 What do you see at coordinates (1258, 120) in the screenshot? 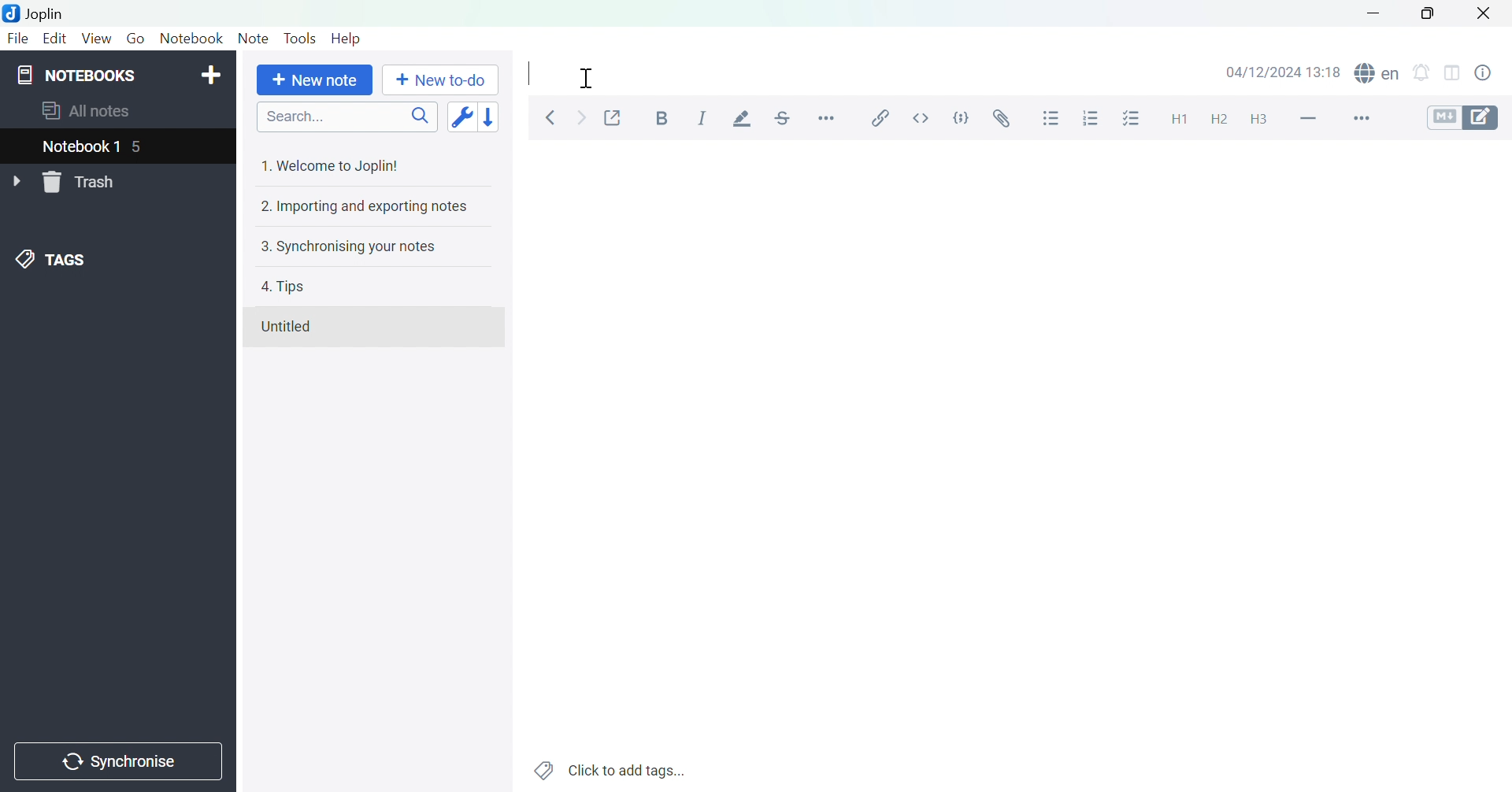
I see `Heading 3` at bounding box center [1258, 120].